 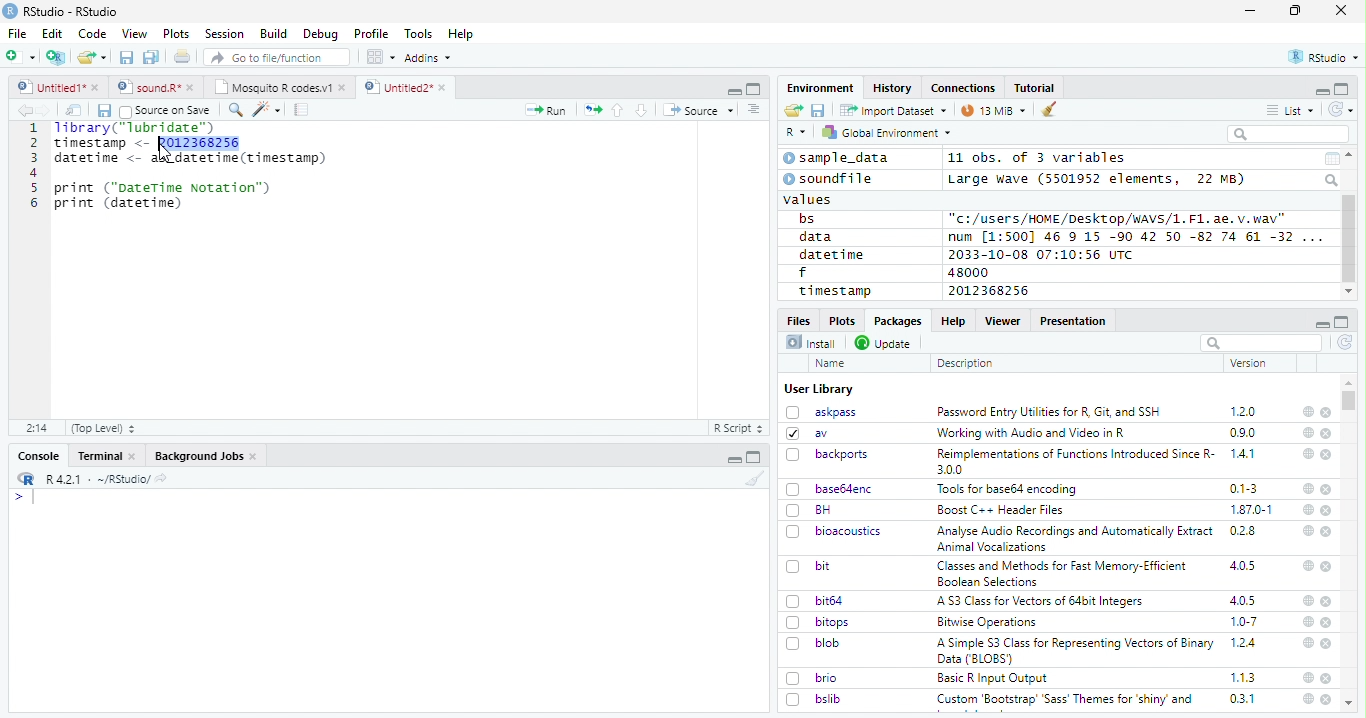 I want to click on Untitled1*, so click(x=57, y=88).